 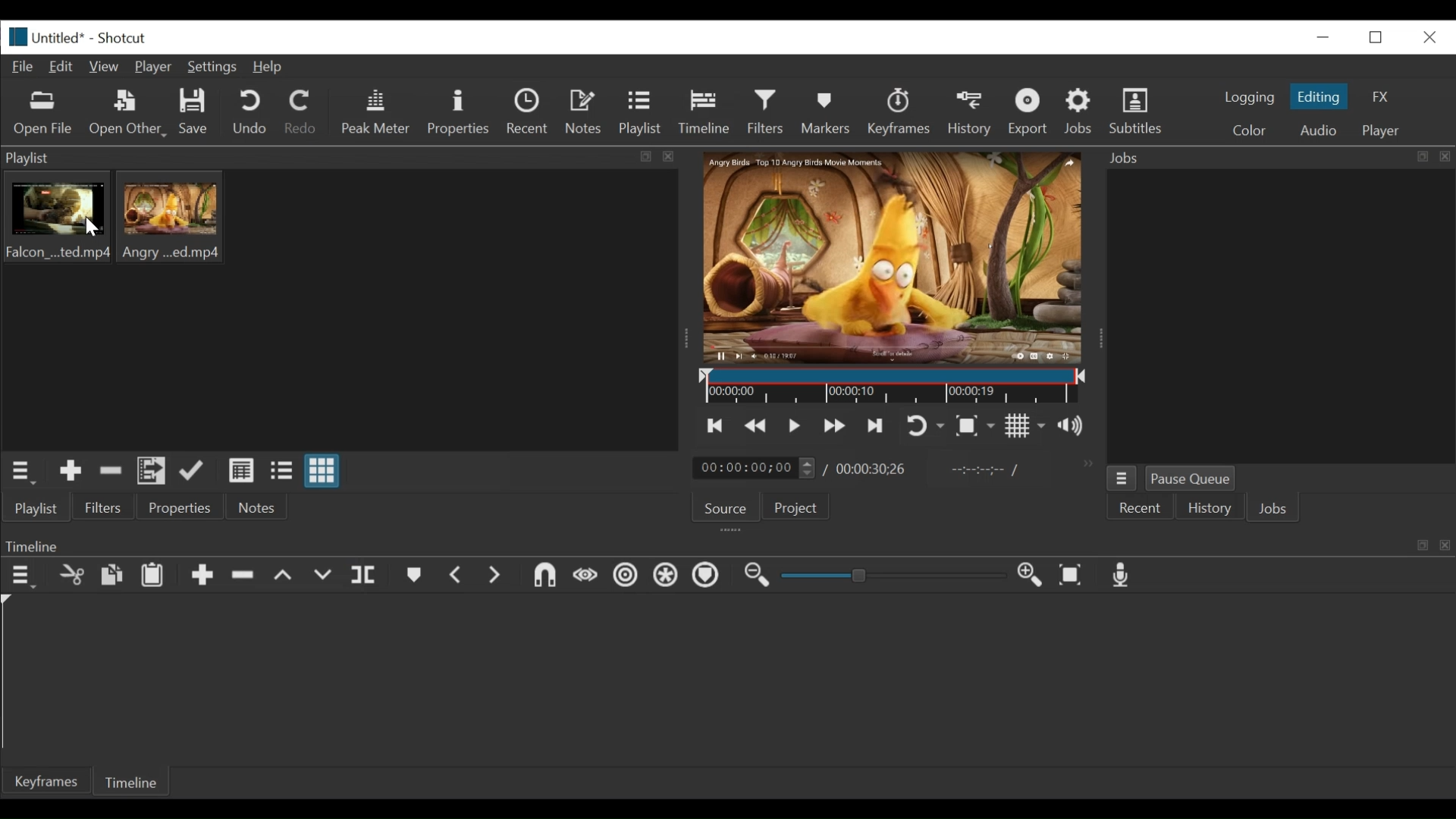 What do you see at coordinates (497, 576) in the screenshot?
I see `next marker` at bounding box center [497, 576].